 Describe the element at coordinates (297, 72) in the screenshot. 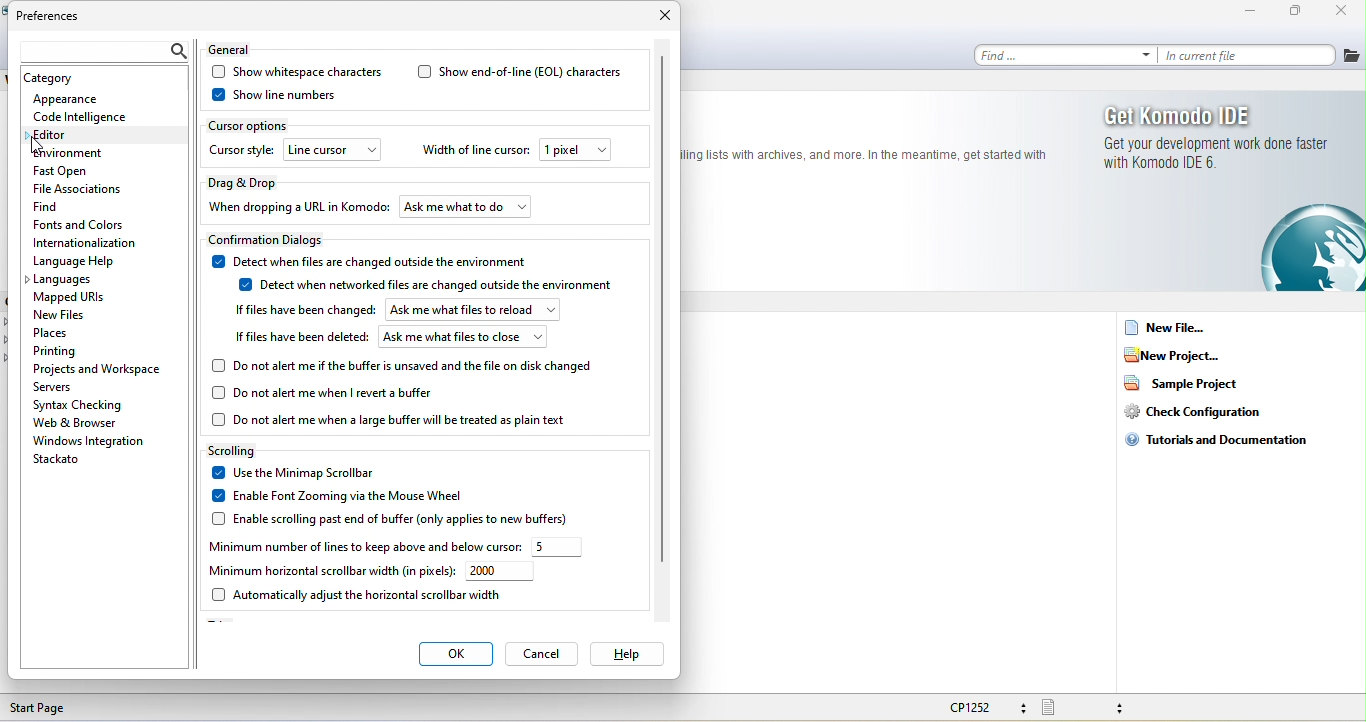

I see `show whitespace characters` at that location.